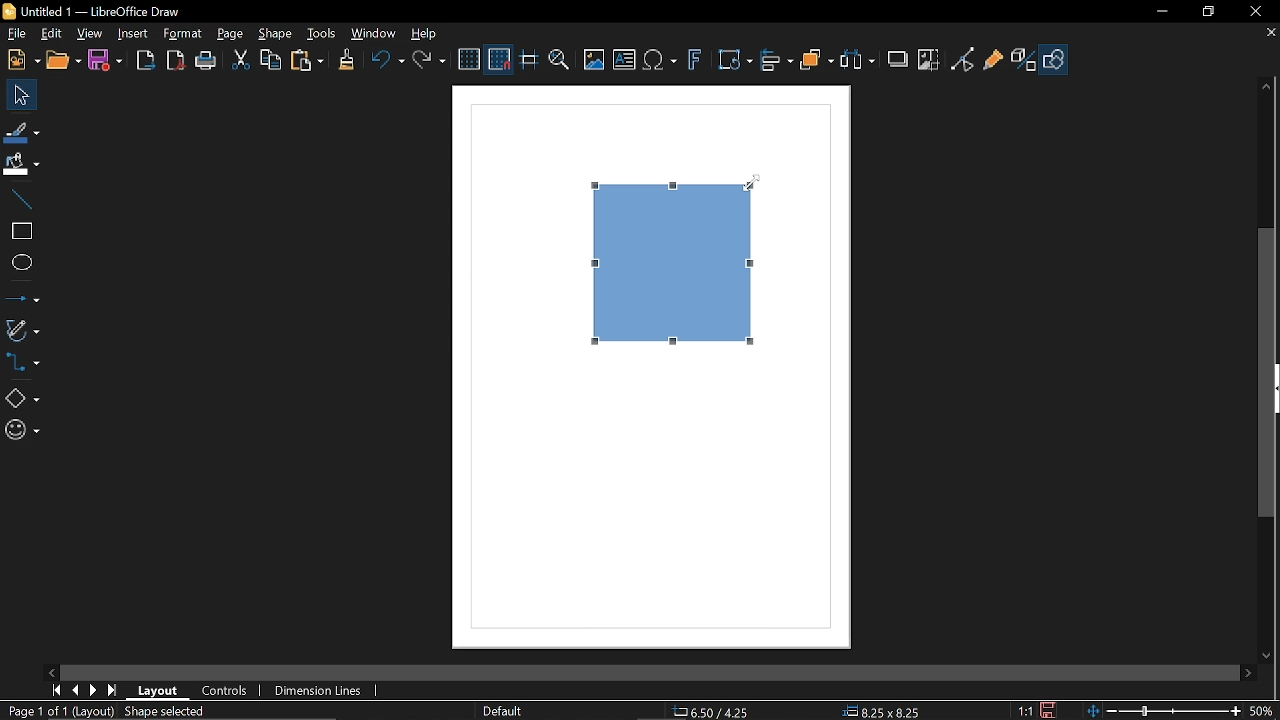 The height and width of the screenshot is (720, 1280). Describe the element at coordinates (898, 61) in the screenshot. I see `Shadow` at that location.